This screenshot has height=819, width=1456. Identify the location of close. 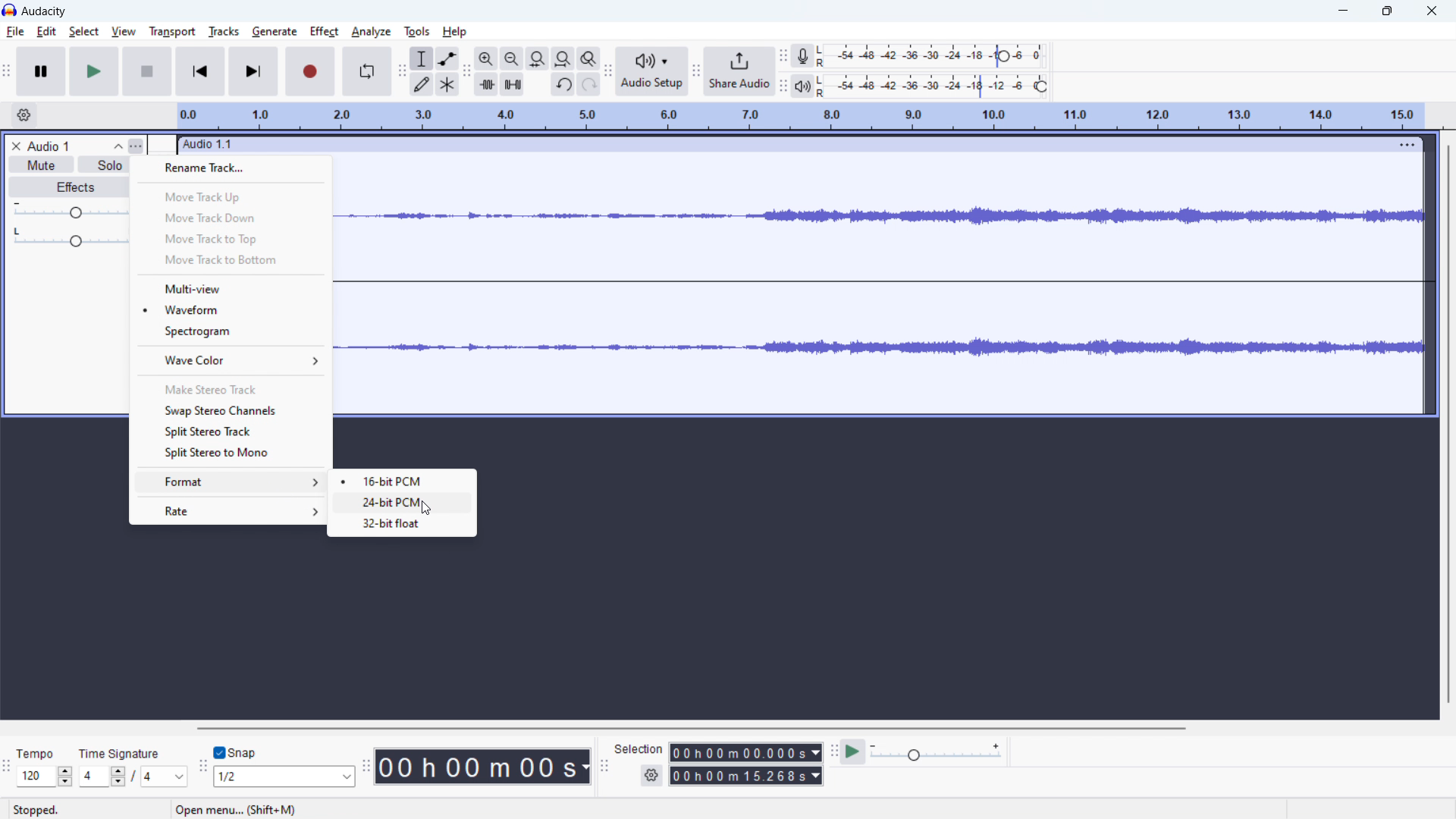
(1431, 10).